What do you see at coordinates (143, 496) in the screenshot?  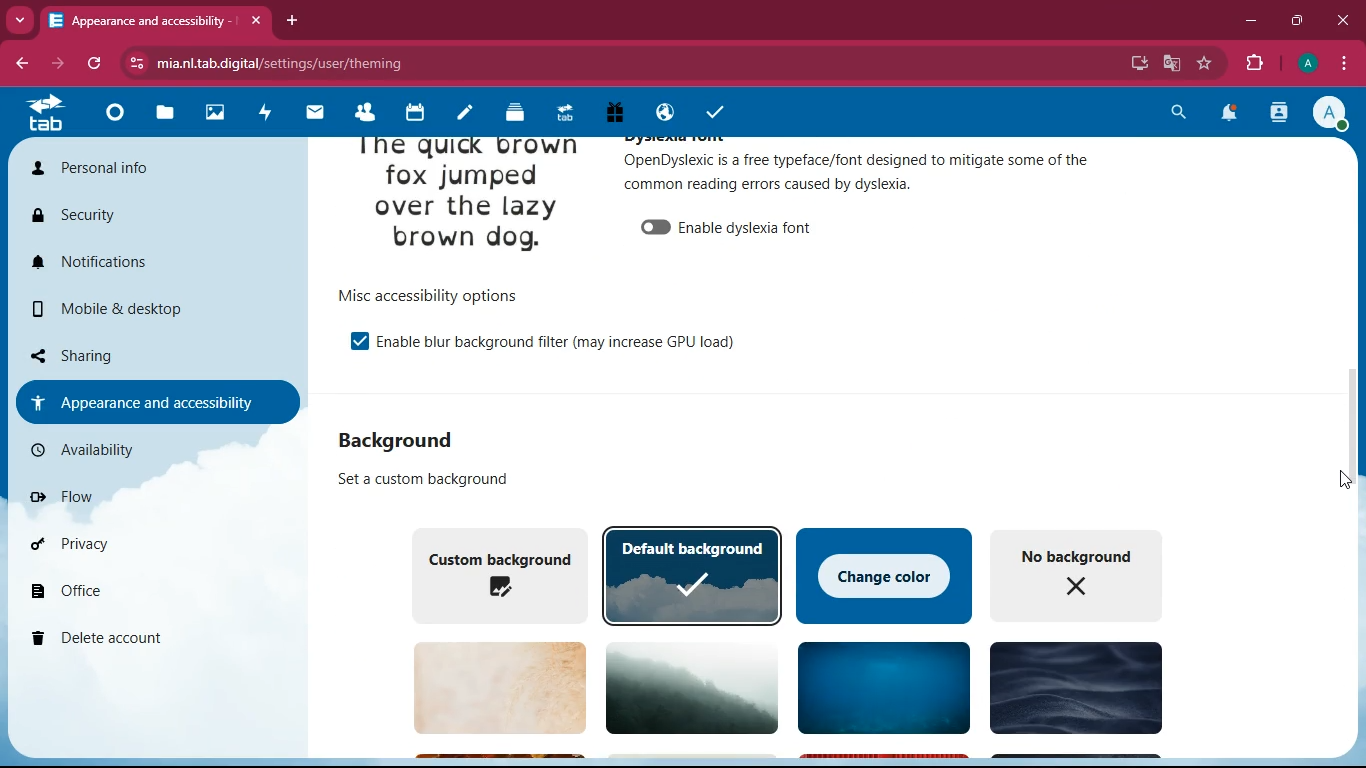 I see `flow` at bounding box center [143, 496].